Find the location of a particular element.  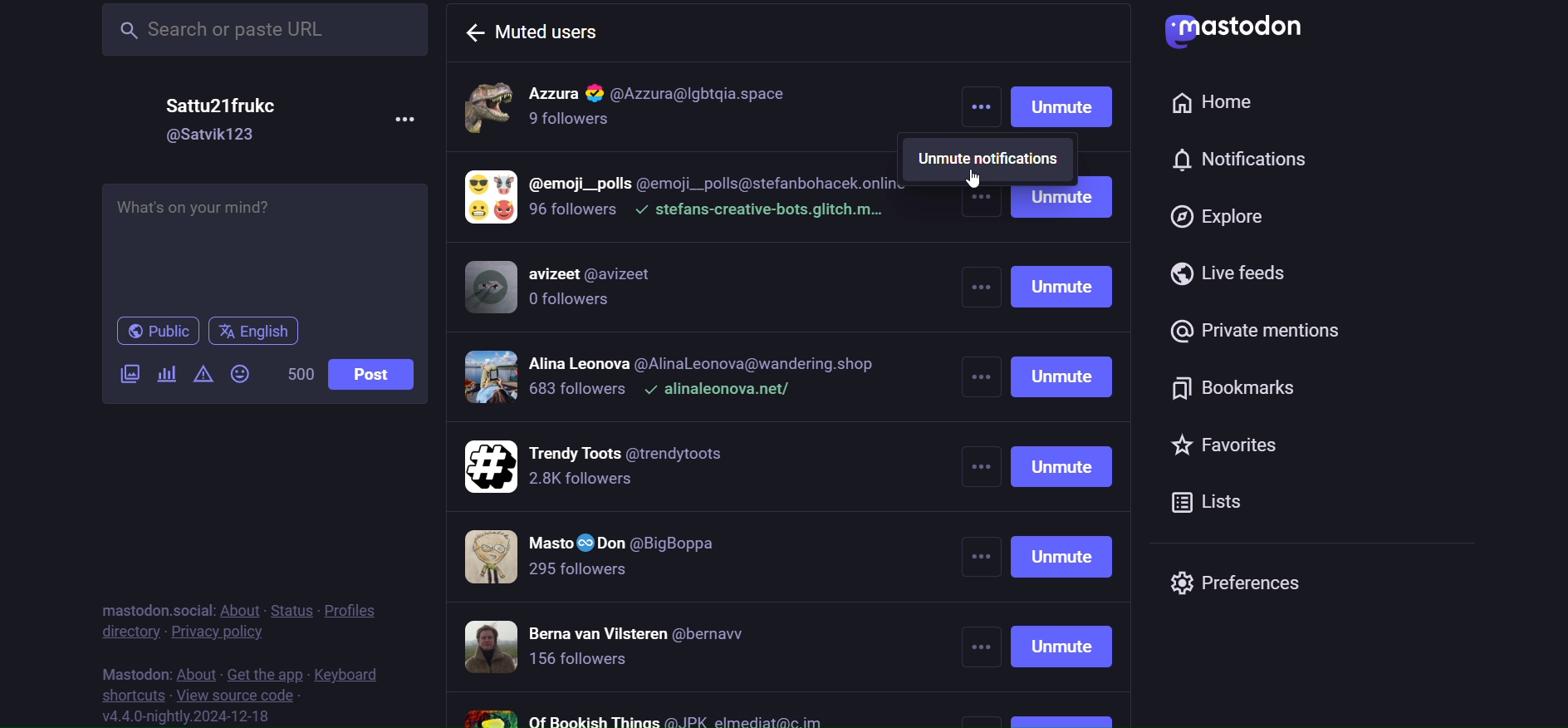

privacy policy is located at coordinates (217, 633).